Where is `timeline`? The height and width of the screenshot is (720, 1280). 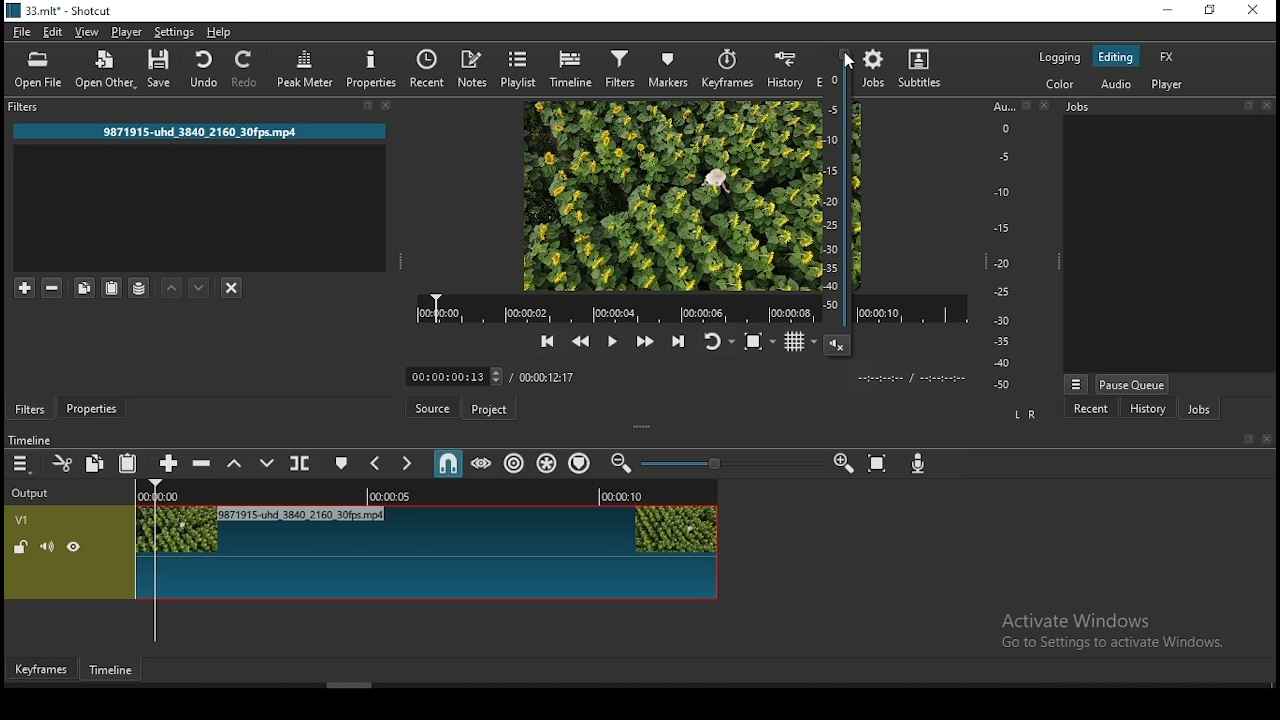
timeline is located at coordinates (570, 71).